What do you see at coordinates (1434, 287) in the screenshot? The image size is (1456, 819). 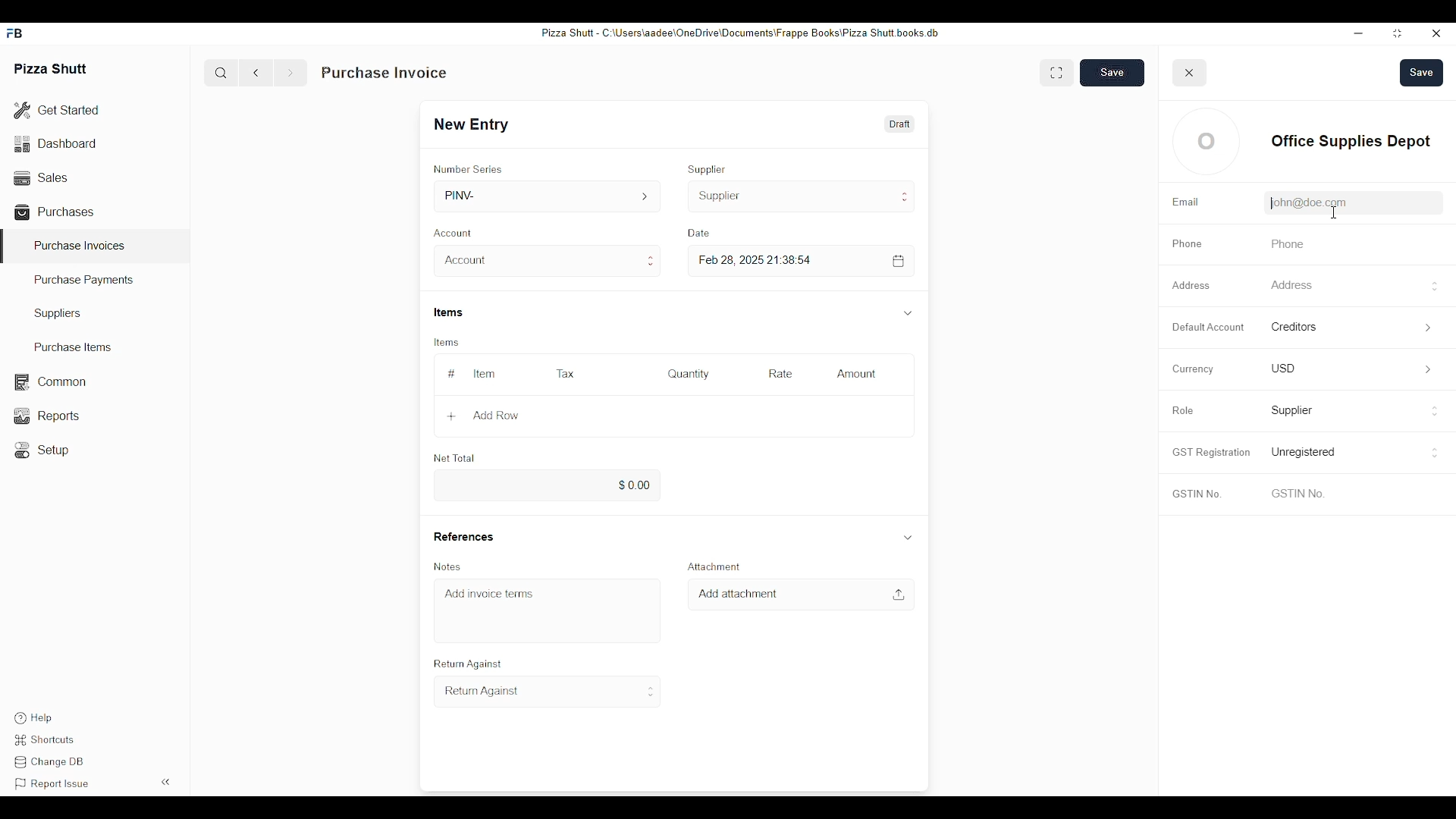 I see `buttons` at bounding box center [1434, 287].